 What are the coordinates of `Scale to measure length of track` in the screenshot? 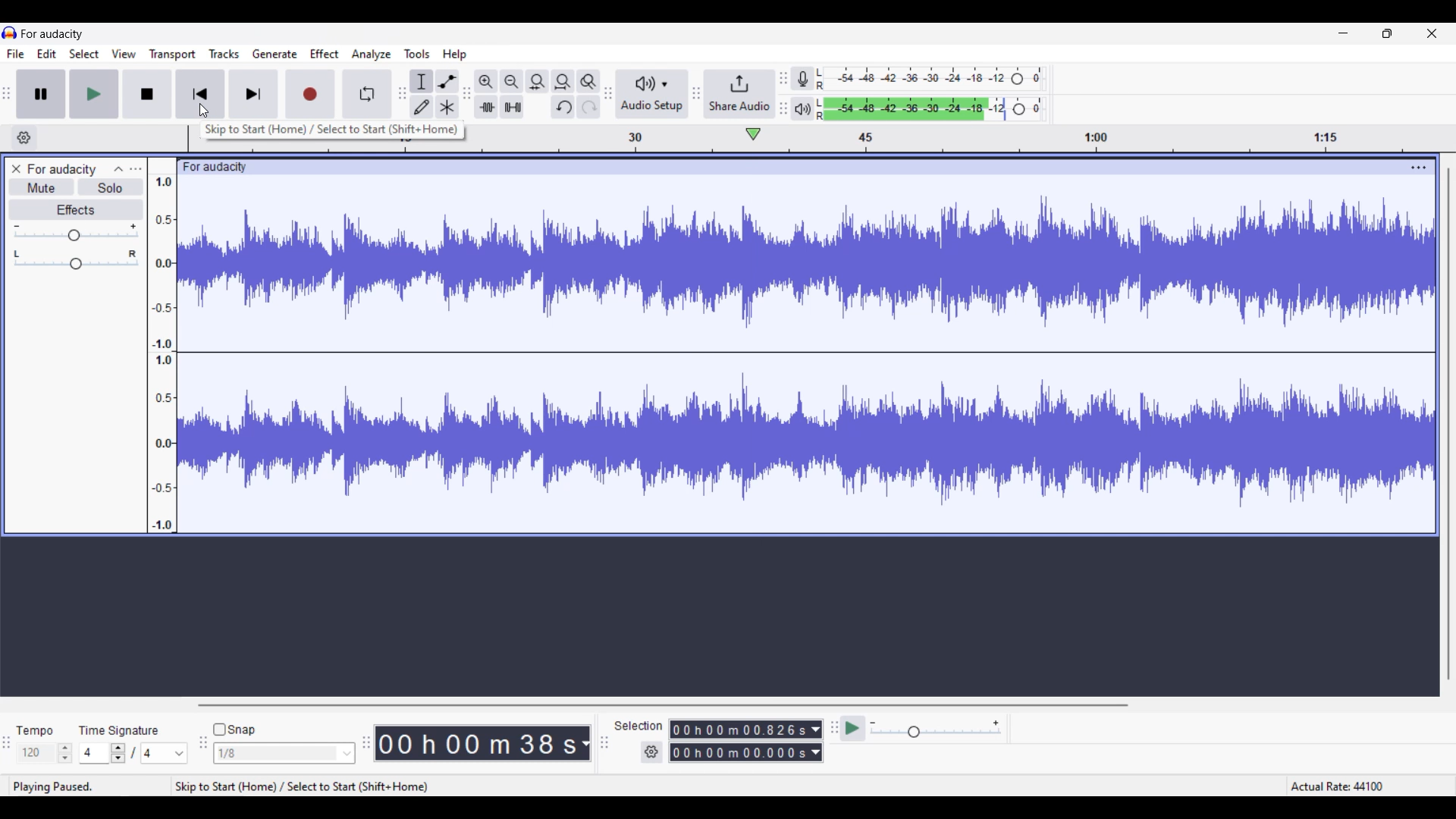 It's located at (959, 138).